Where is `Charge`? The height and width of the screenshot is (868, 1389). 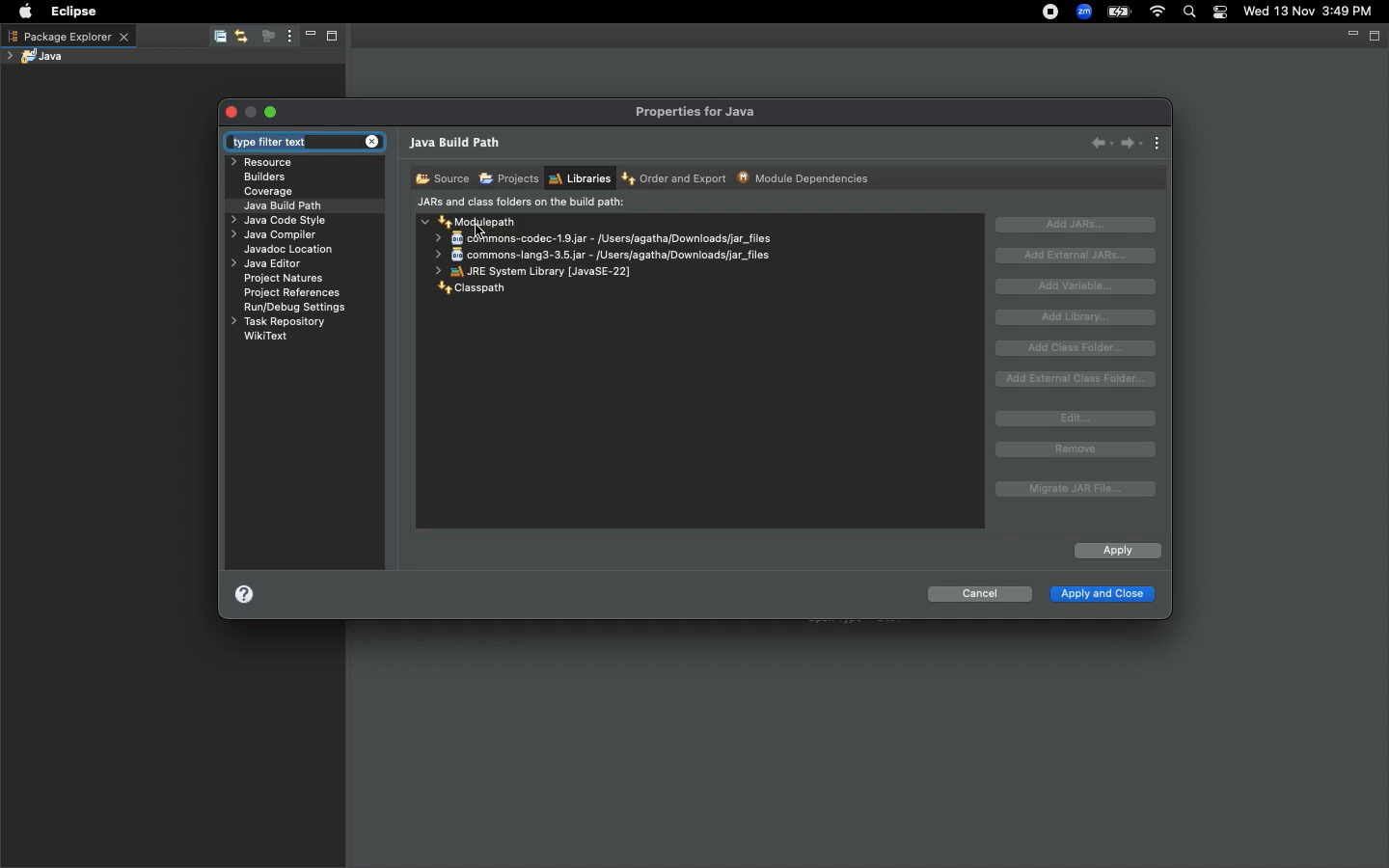
Charge is located at coordinates (1119, 12).